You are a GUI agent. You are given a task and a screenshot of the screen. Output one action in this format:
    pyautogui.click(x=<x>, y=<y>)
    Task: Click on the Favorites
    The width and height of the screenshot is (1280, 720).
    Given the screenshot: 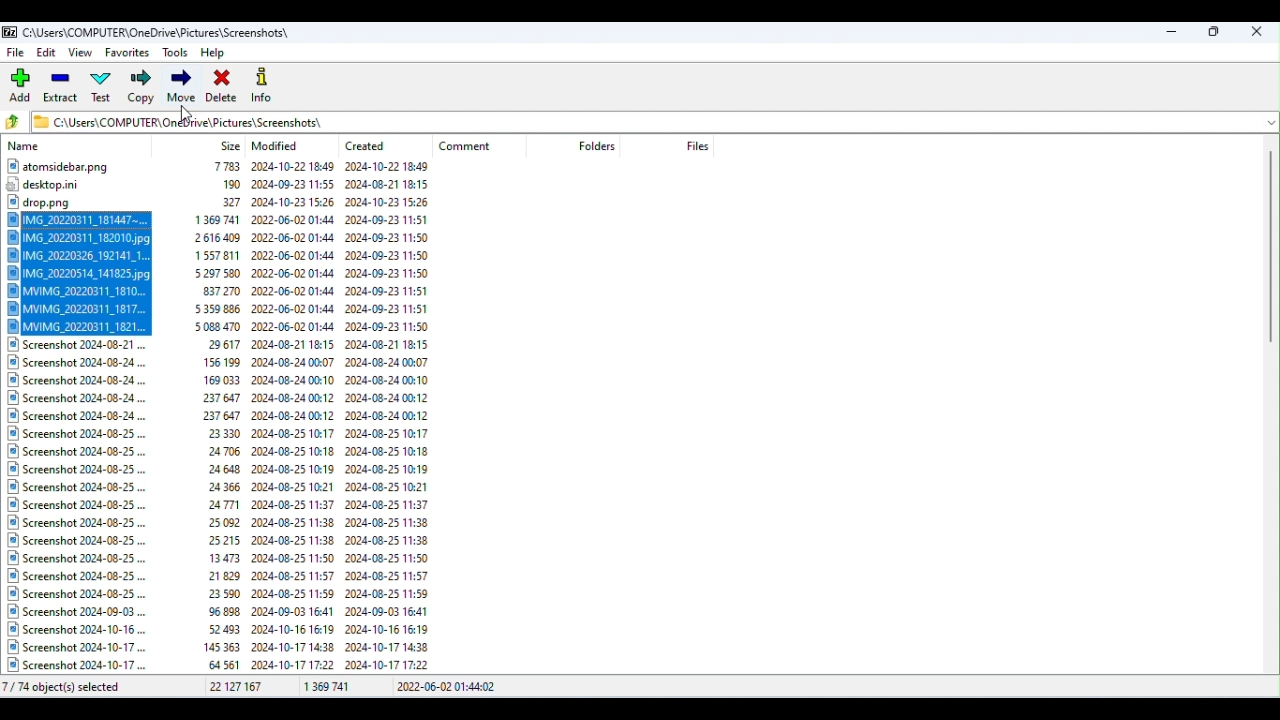 What is the action you would take?
    pyautogui.click(x=126, y=55)
    